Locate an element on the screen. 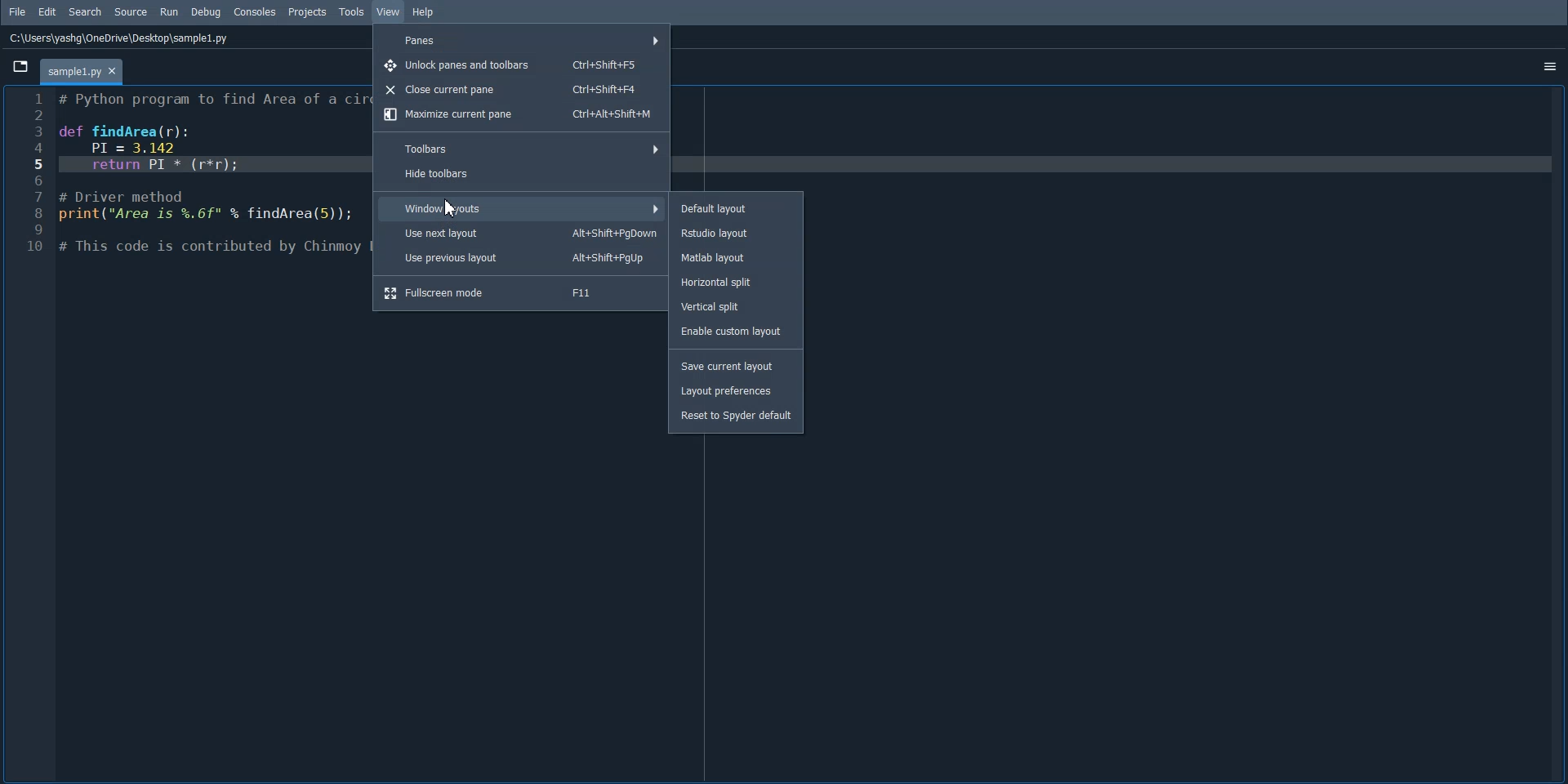 The width and height of the screenshot is (1568, 784). File is located at coordinates (17, 11).